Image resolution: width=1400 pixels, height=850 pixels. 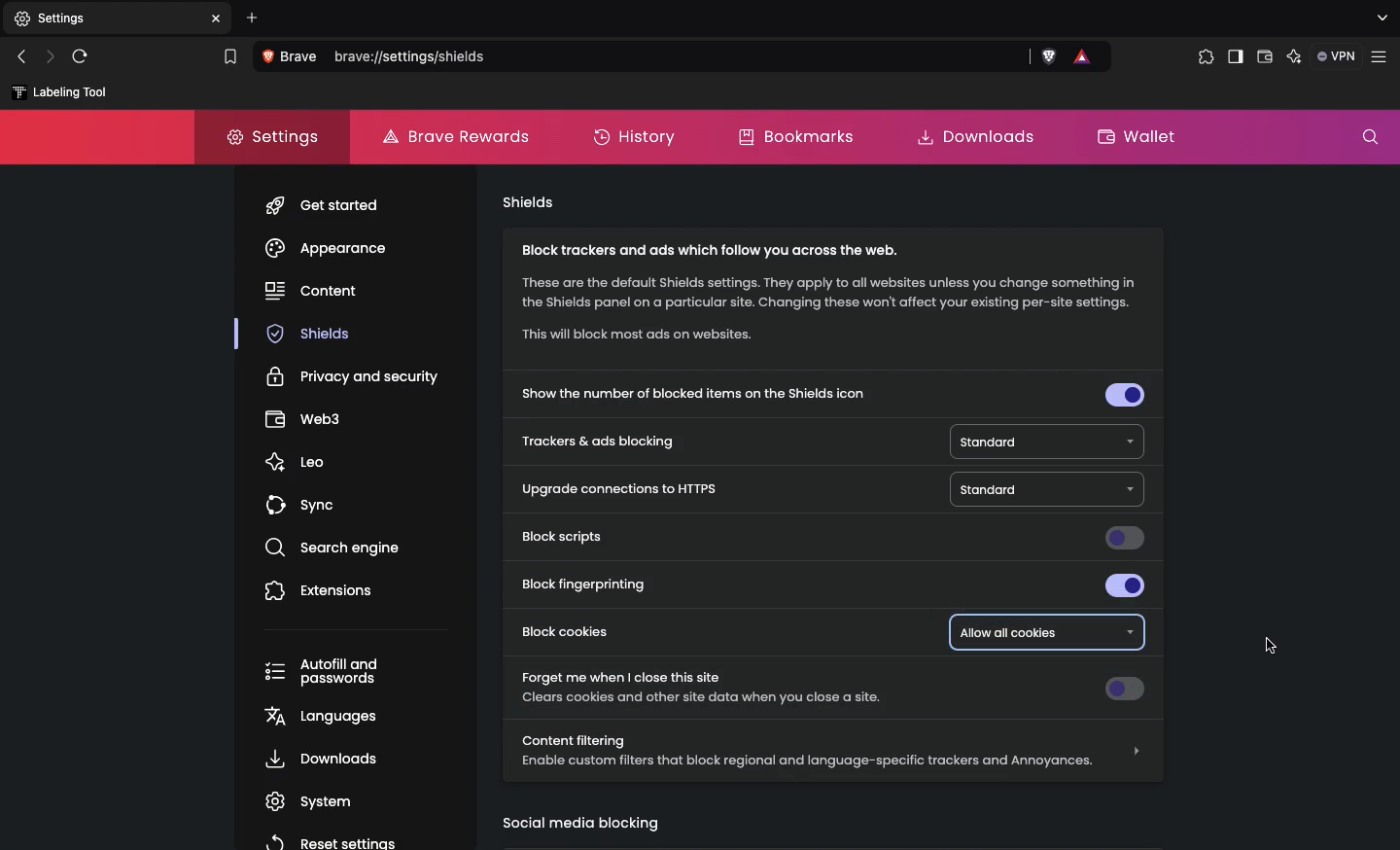 What do you see at coordinates (1045, 55) in the screenshot?
I see `brave shields` at bounding box center [1045, 55].